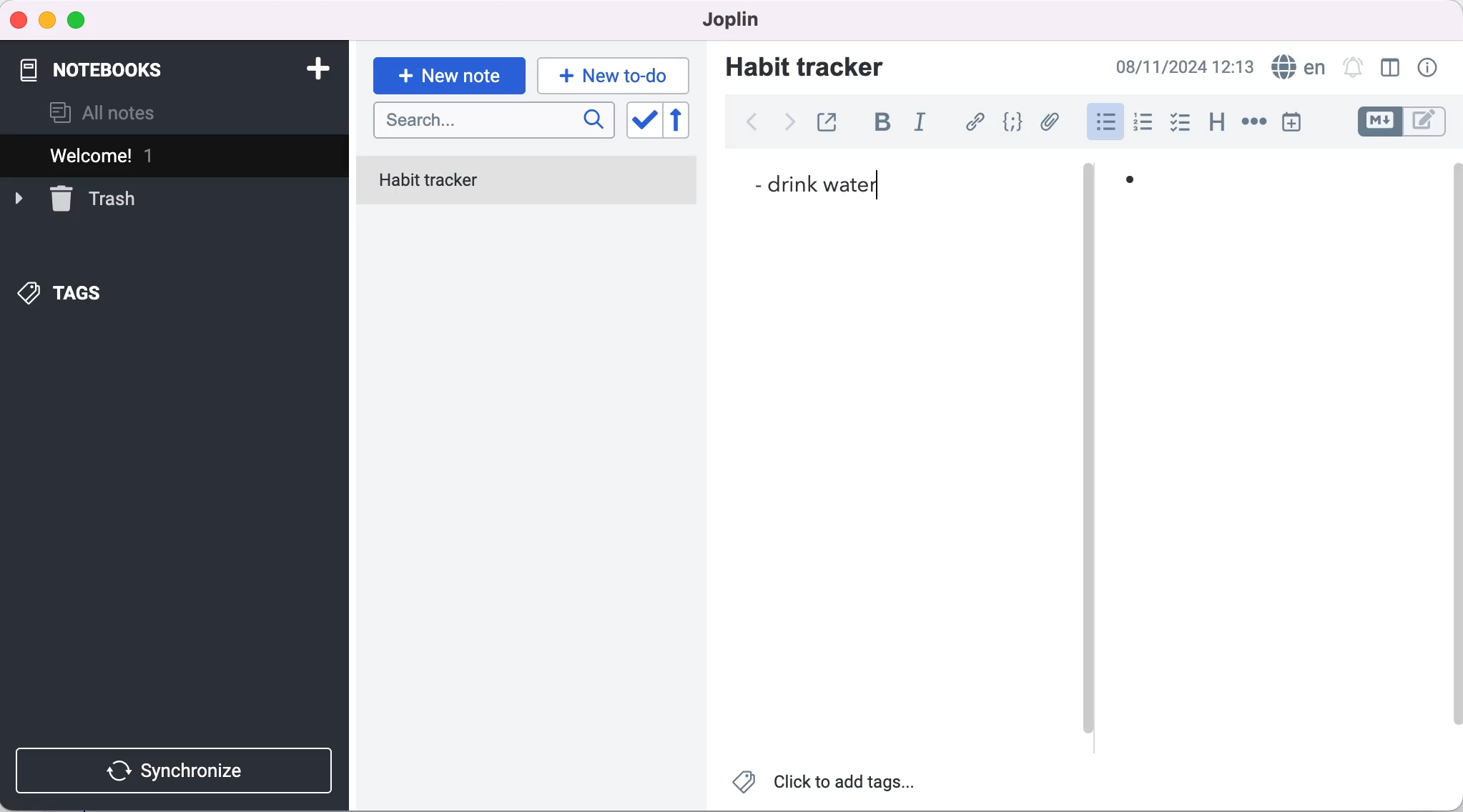  I want to click on habit tracker, so click(804, 66).